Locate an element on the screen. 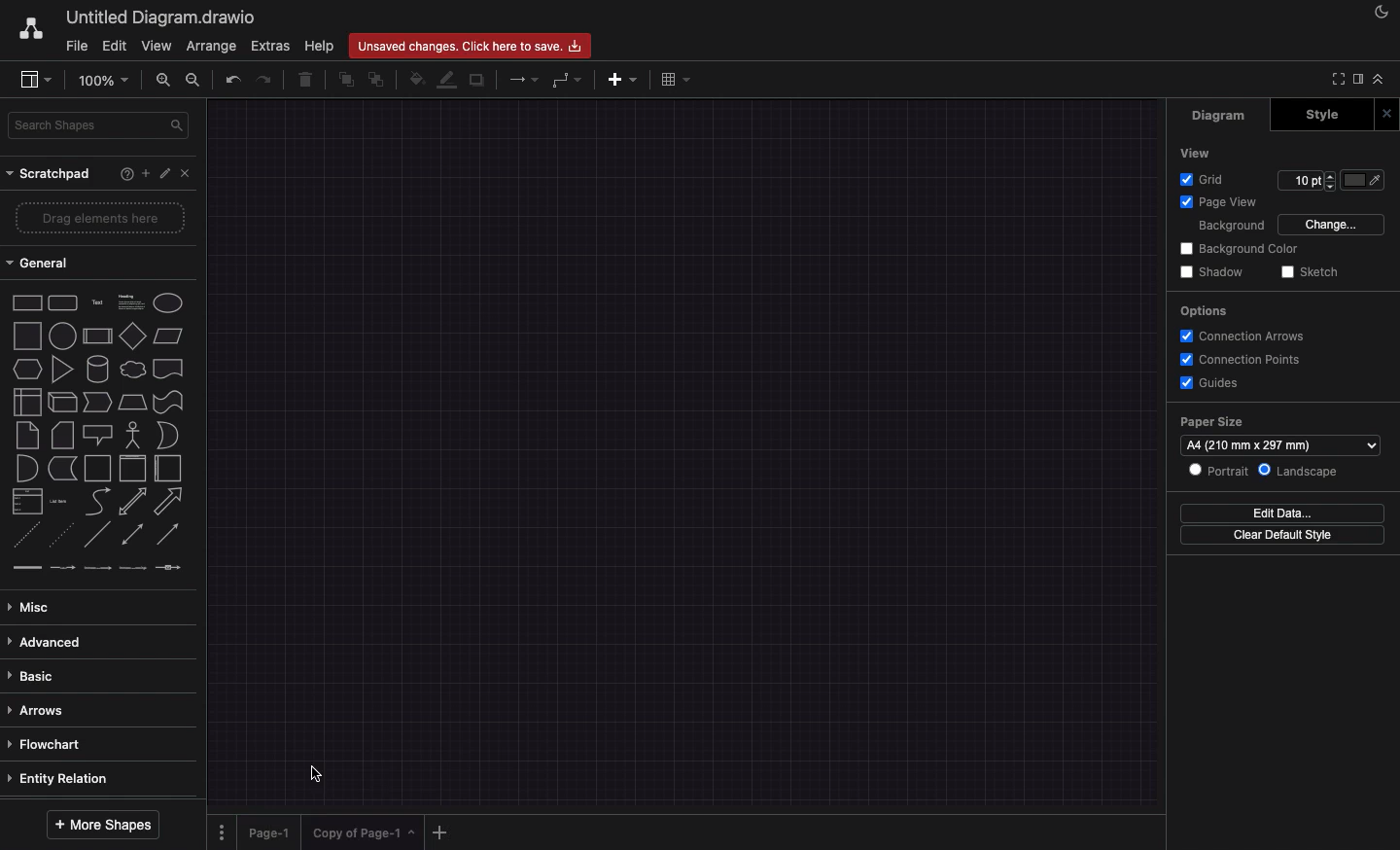 Image resolution: width=1400 pixels, height=850 pixels. table is located at coordinates (676, 79).